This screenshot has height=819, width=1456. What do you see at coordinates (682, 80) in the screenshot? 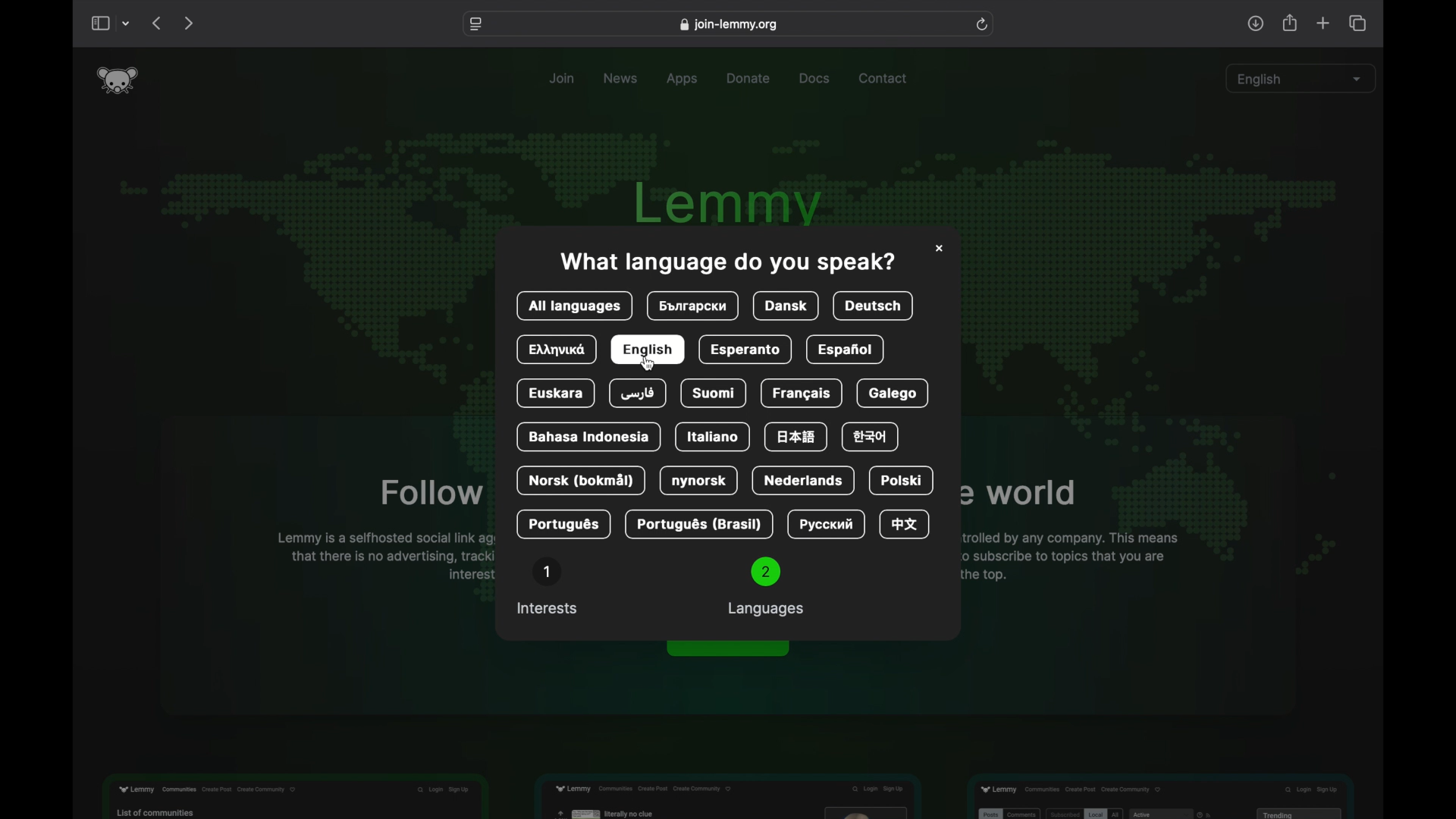
I see `apps` at bounding box center [682, 80].